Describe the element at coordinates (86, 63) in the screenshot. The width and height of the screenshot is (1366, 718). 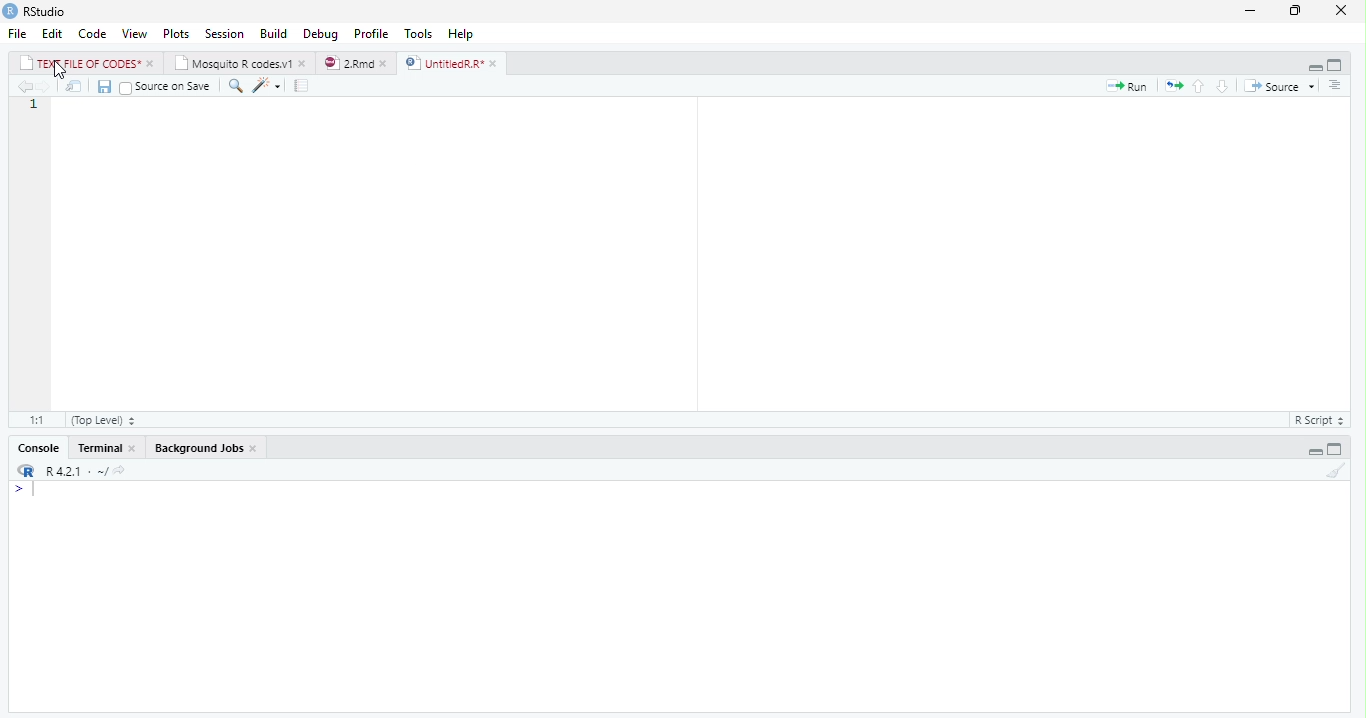
I see `TEXT FILE OF CODES*` at that location.